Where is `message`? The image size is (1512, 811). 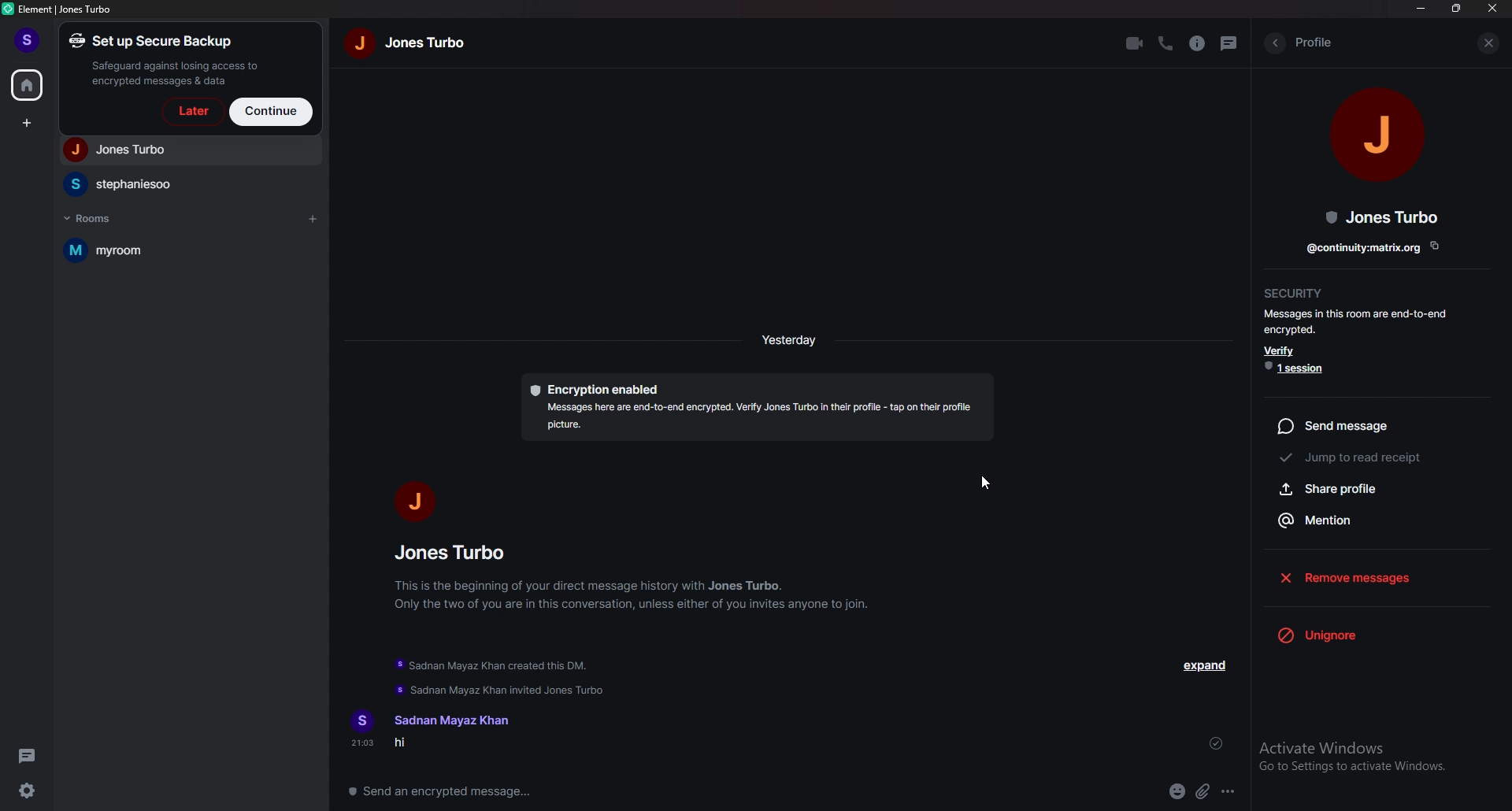 message is located at coordinates (444, 745).